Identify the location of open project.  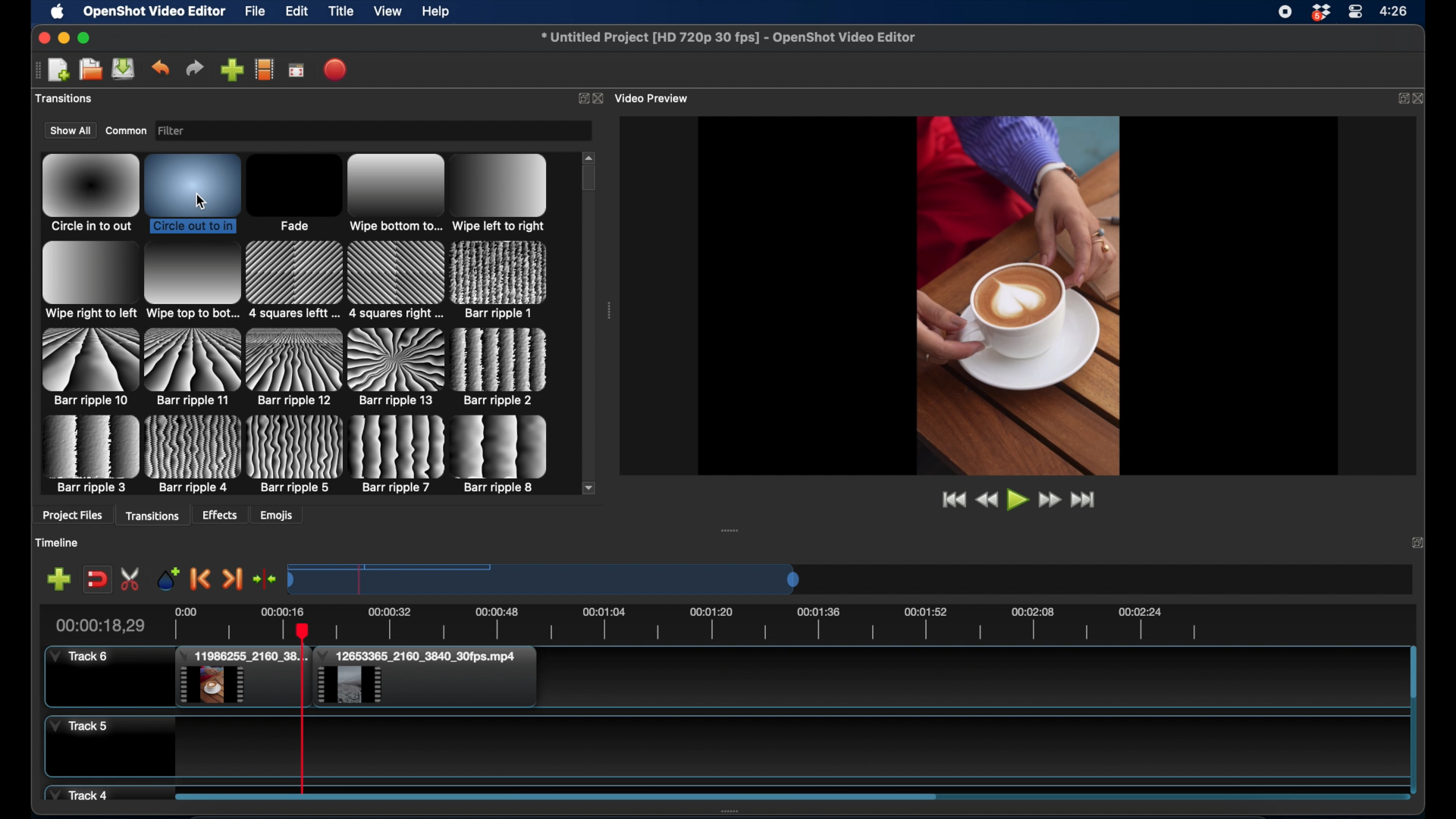
(58, 71).